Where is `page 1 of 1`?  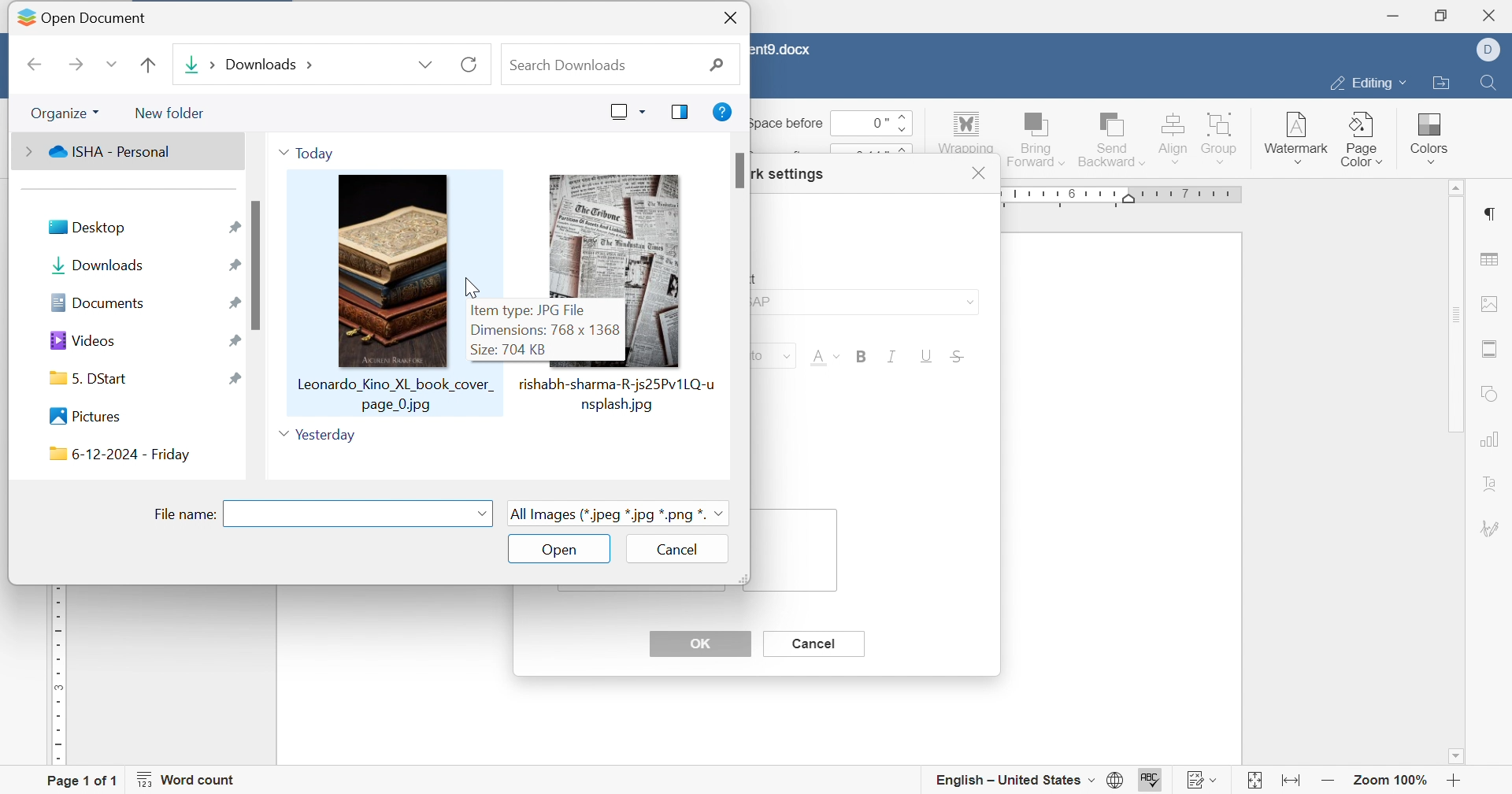
page 1 of 1 is located at coordinates (81, 782).